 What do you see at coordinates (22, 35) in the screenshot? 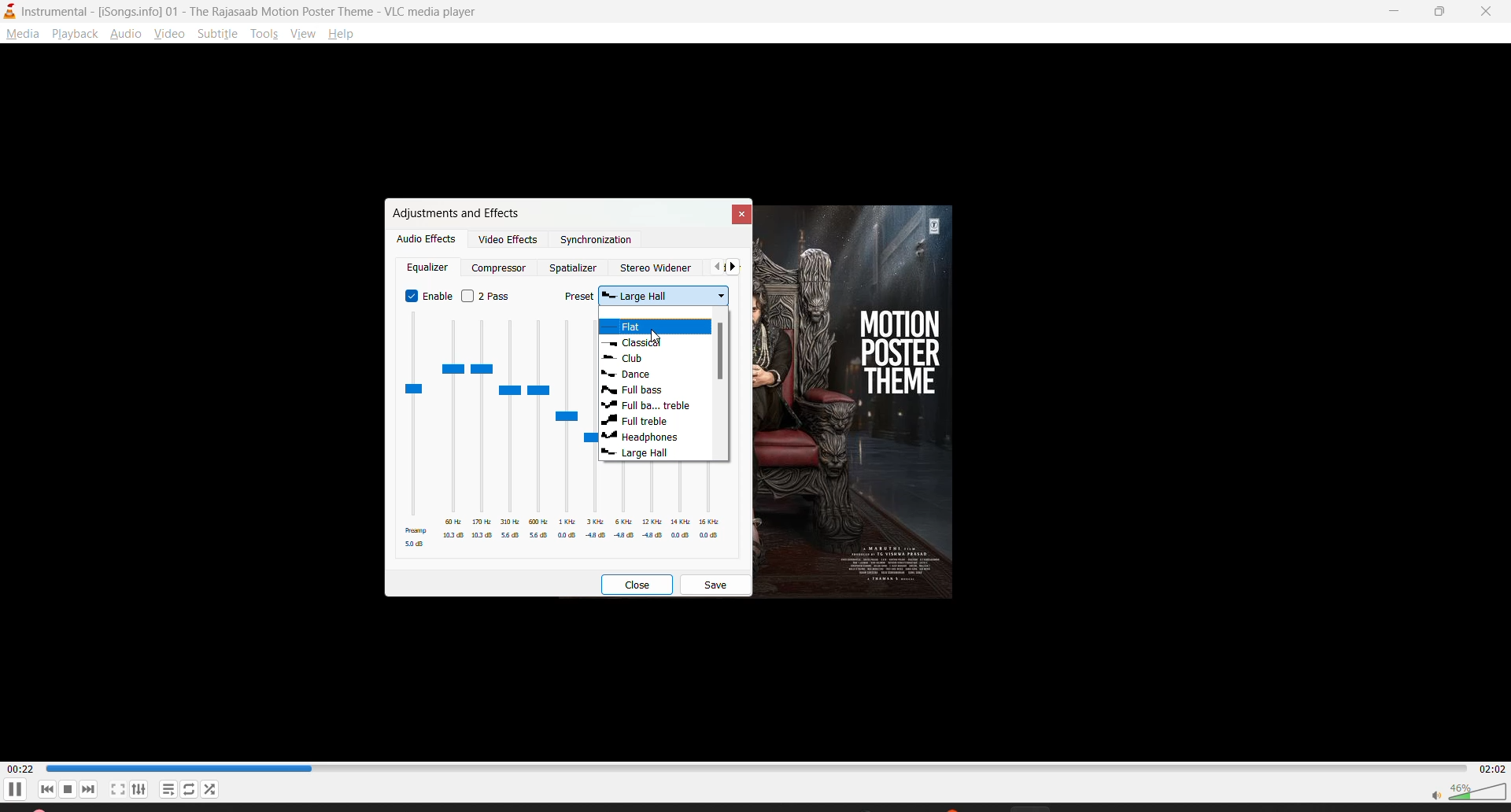
I see `media` at bounding box center [22, 35].